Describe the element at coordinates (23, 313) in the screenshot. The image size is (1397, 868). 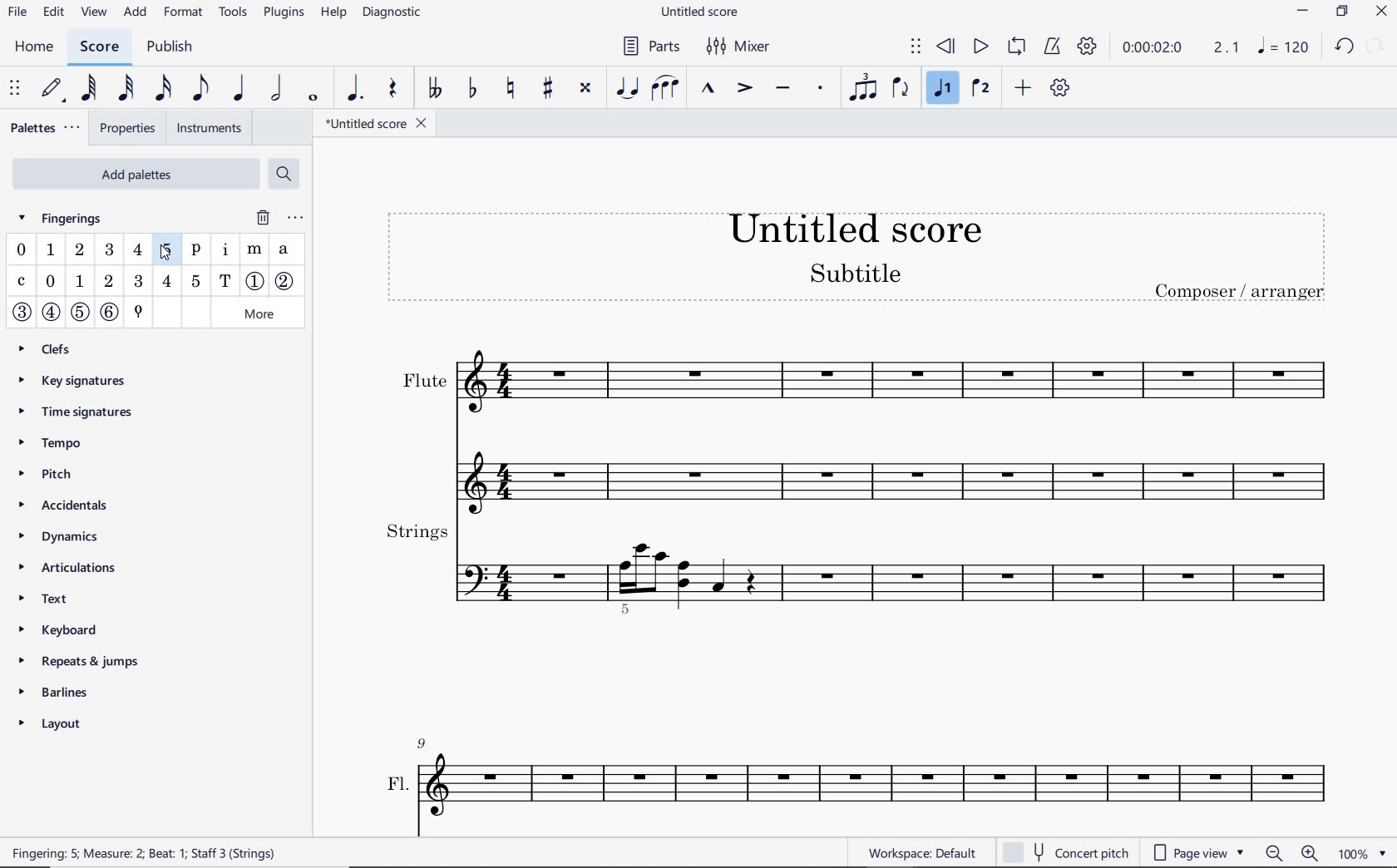
I see `STRING NUMBER 3` at that location.